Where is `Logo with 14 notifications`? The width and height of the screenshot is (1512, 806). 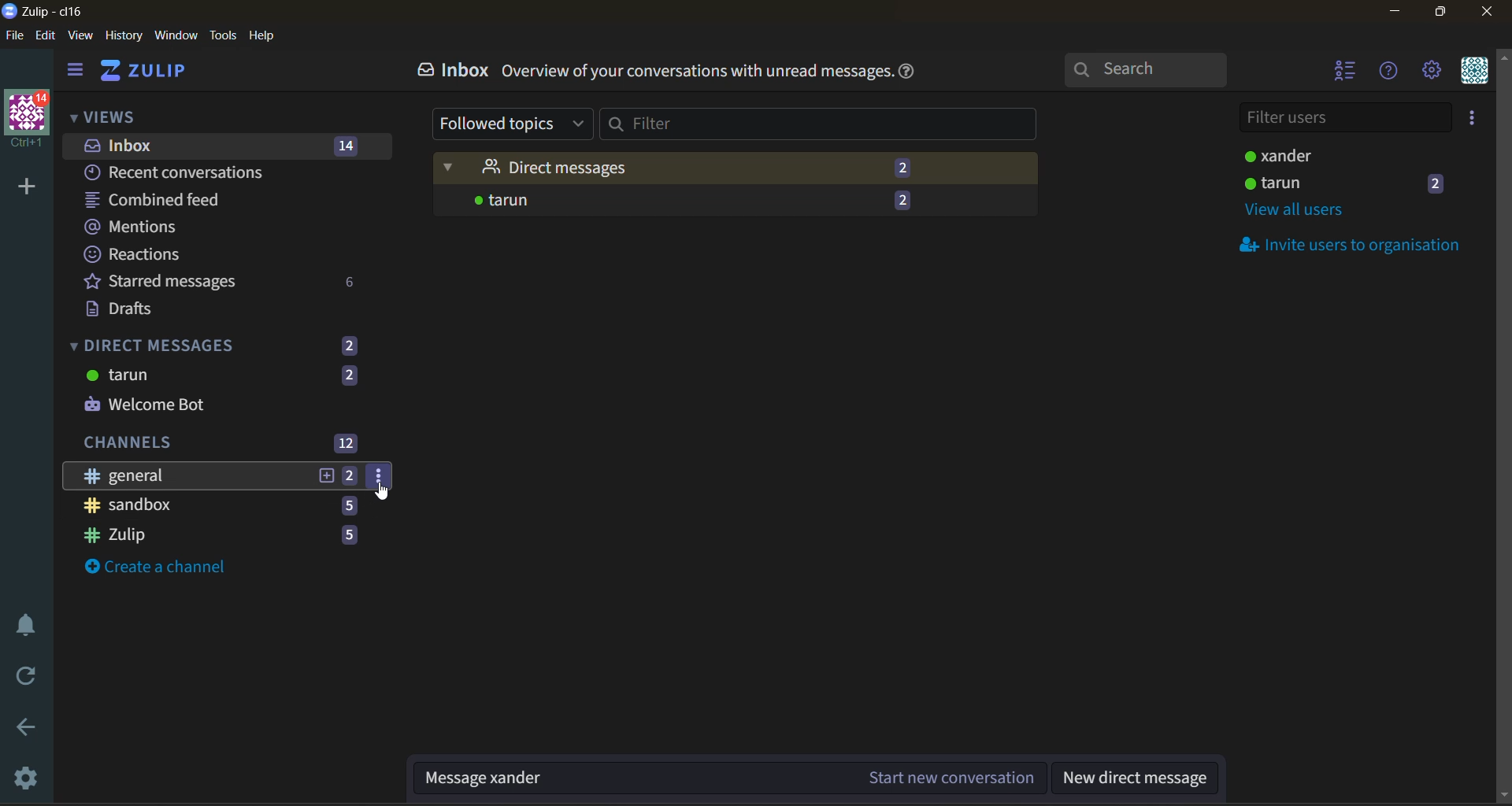
Logo with 14 notifications is located at coordinates (25, 123).